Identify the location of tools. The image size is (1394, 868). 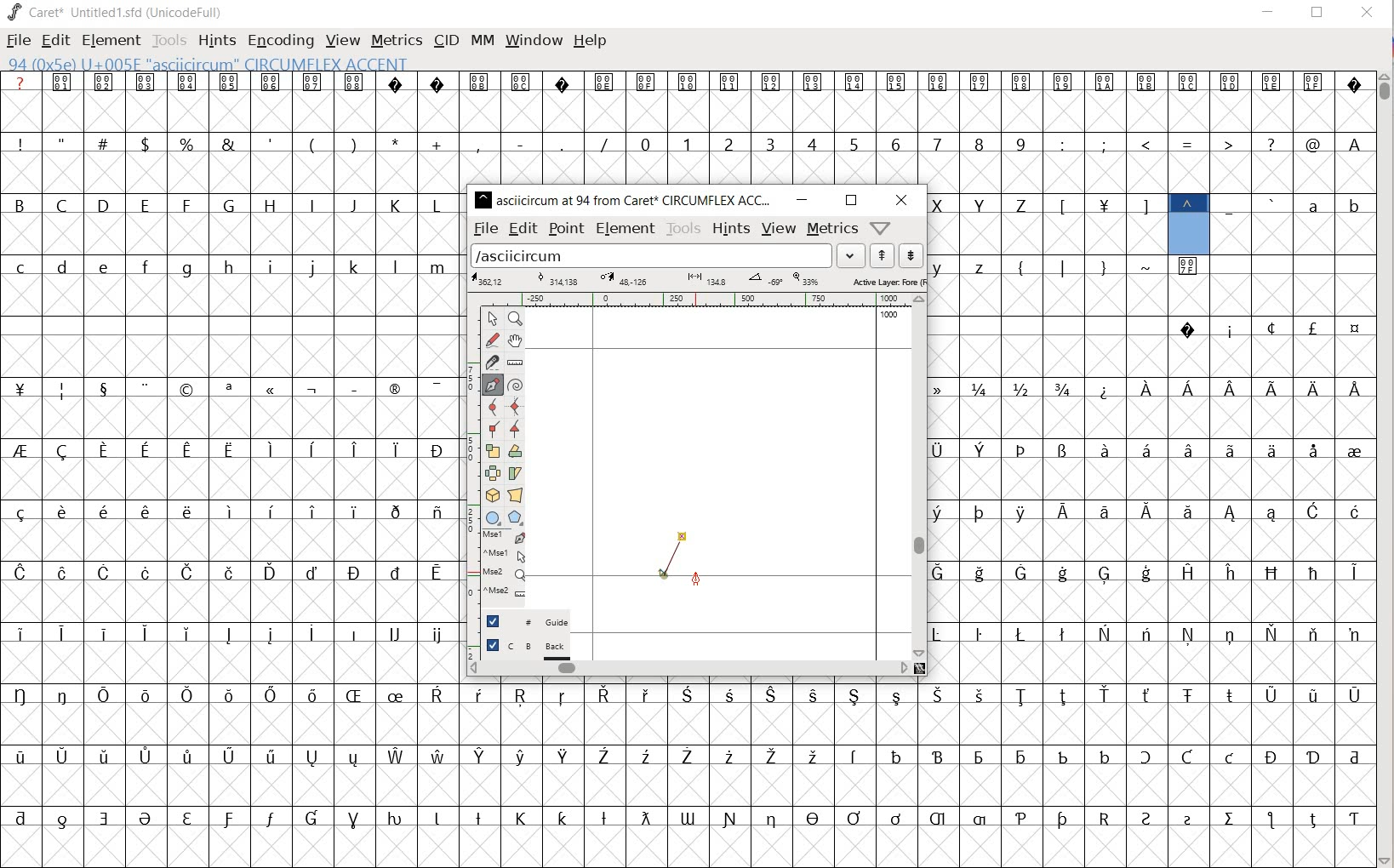
(684, 228).